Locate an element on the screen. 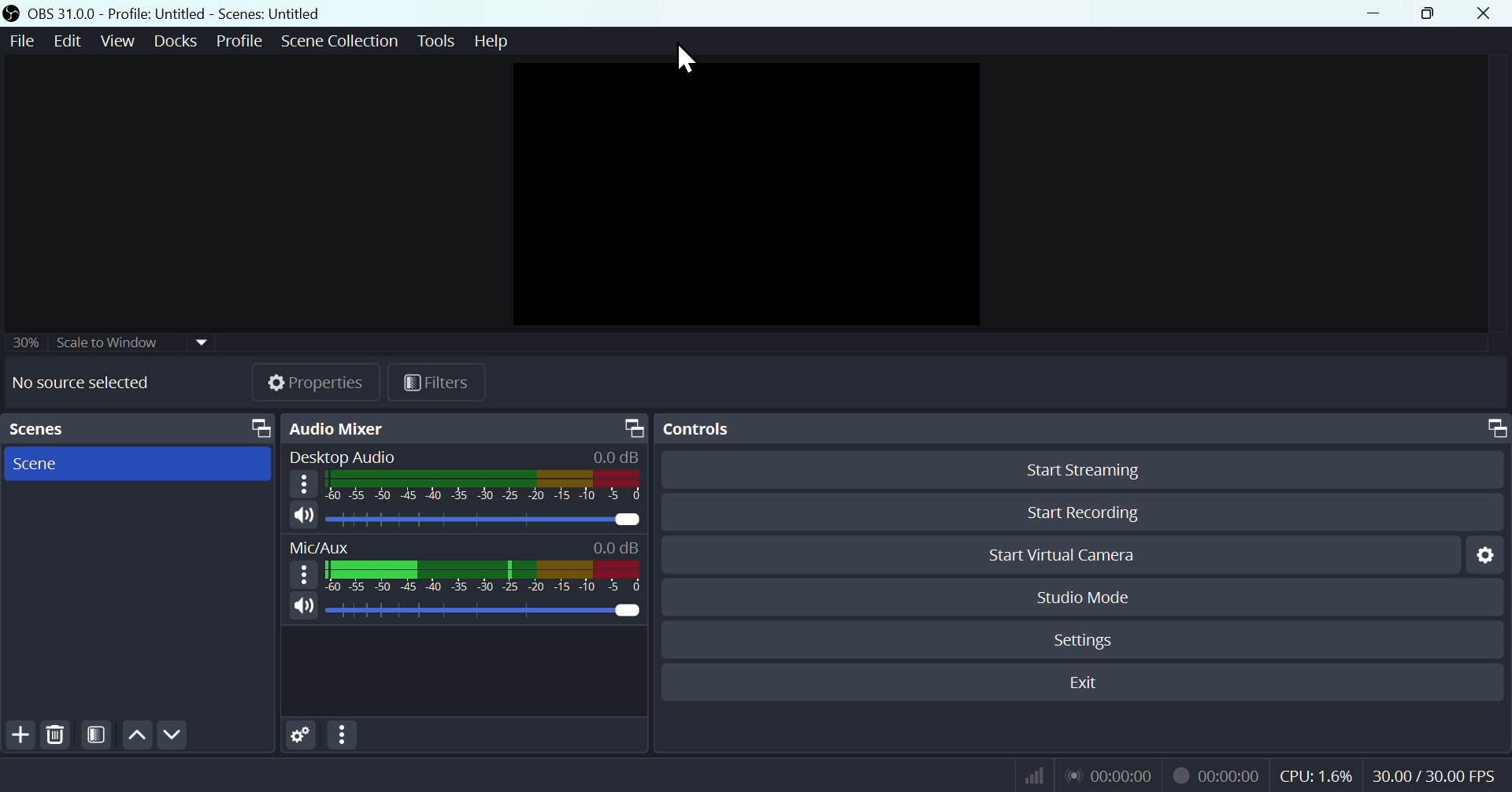  Preview page  is located at coordinates (741, 190).